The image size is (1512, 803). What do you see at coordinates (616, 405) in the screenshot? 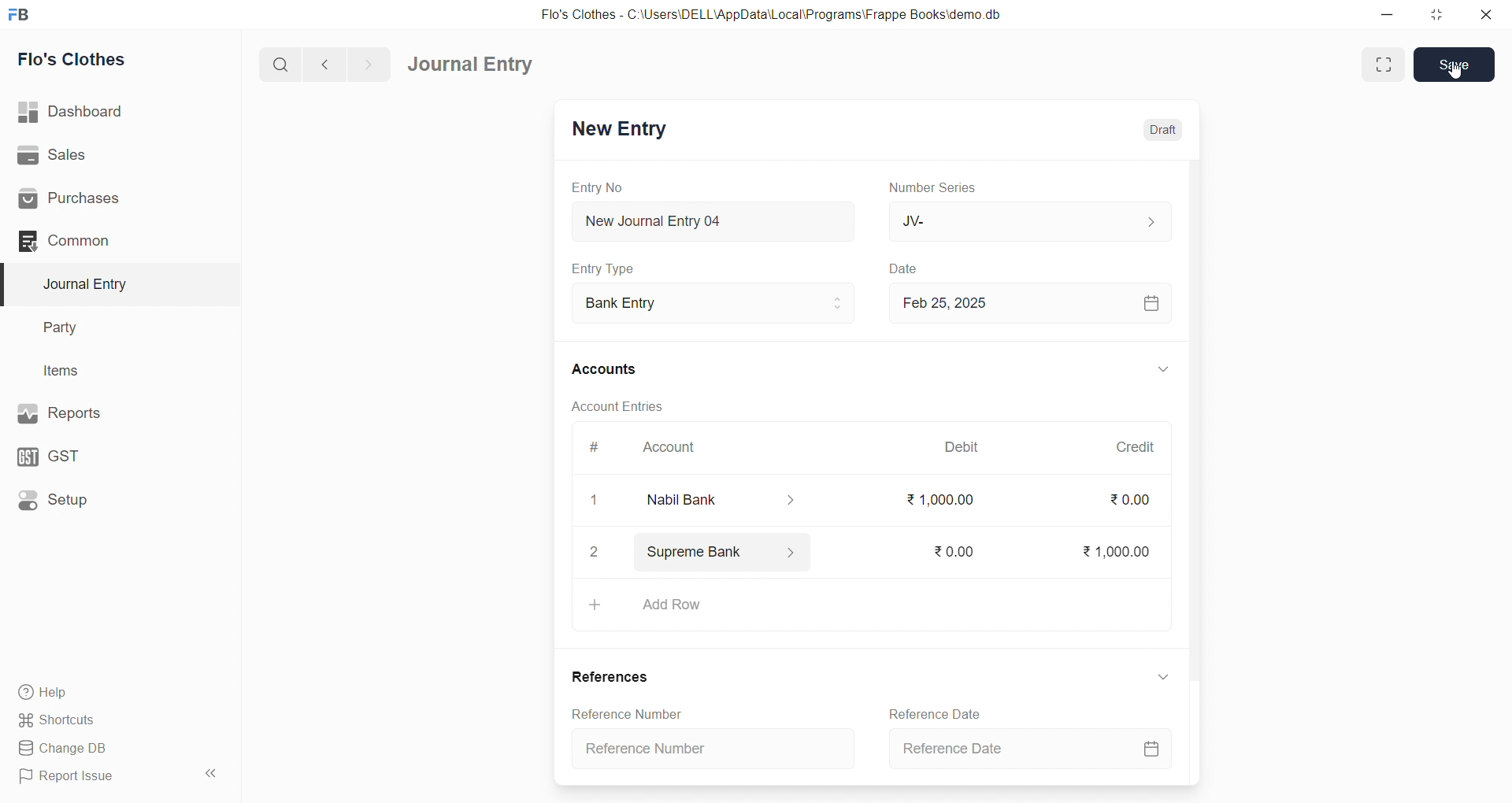
I see `Account Entries` at bounding box center [616, 405].